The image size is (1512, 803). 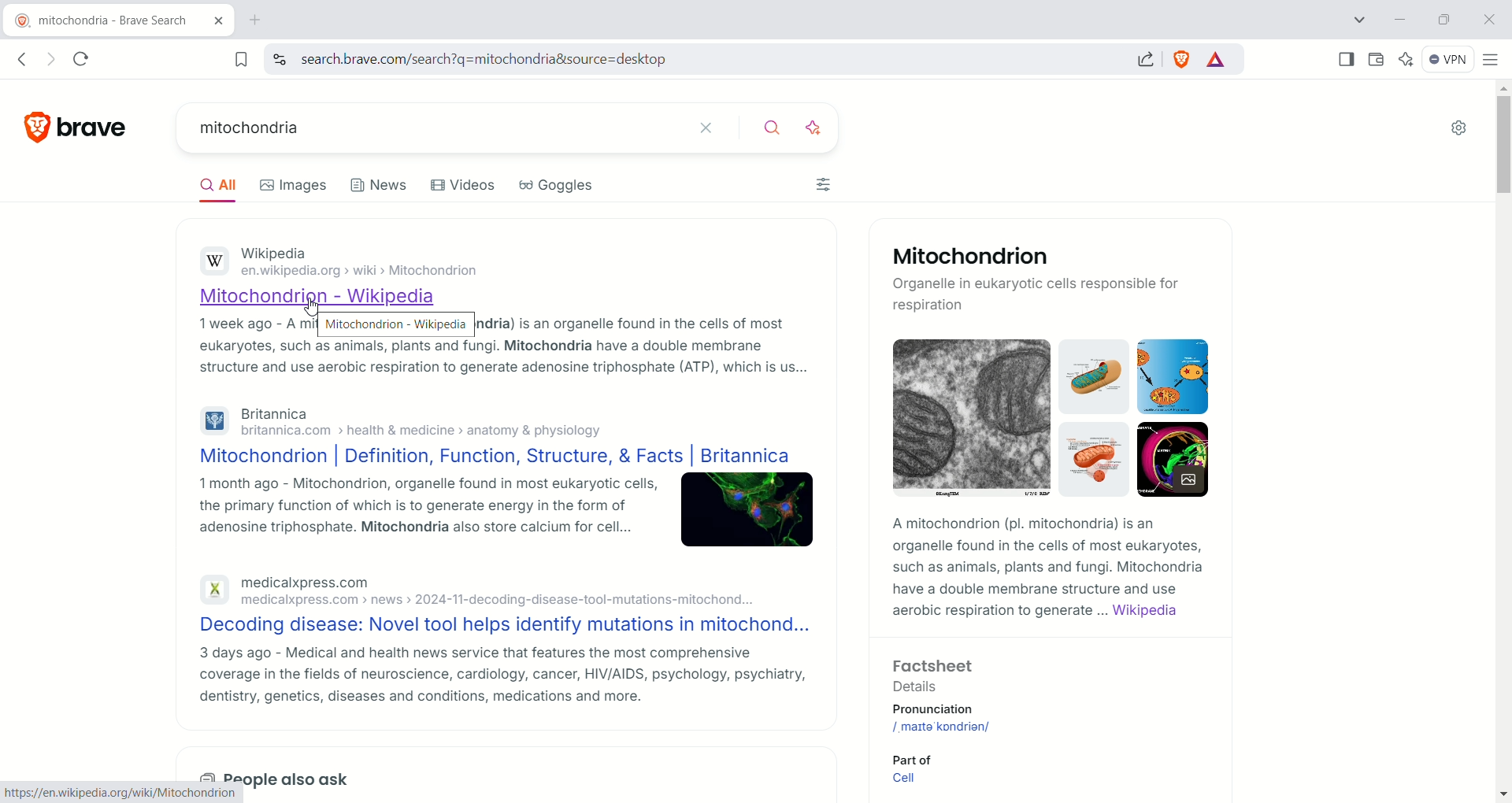 I want to click on Factsheet, so click(x=928, y=664).